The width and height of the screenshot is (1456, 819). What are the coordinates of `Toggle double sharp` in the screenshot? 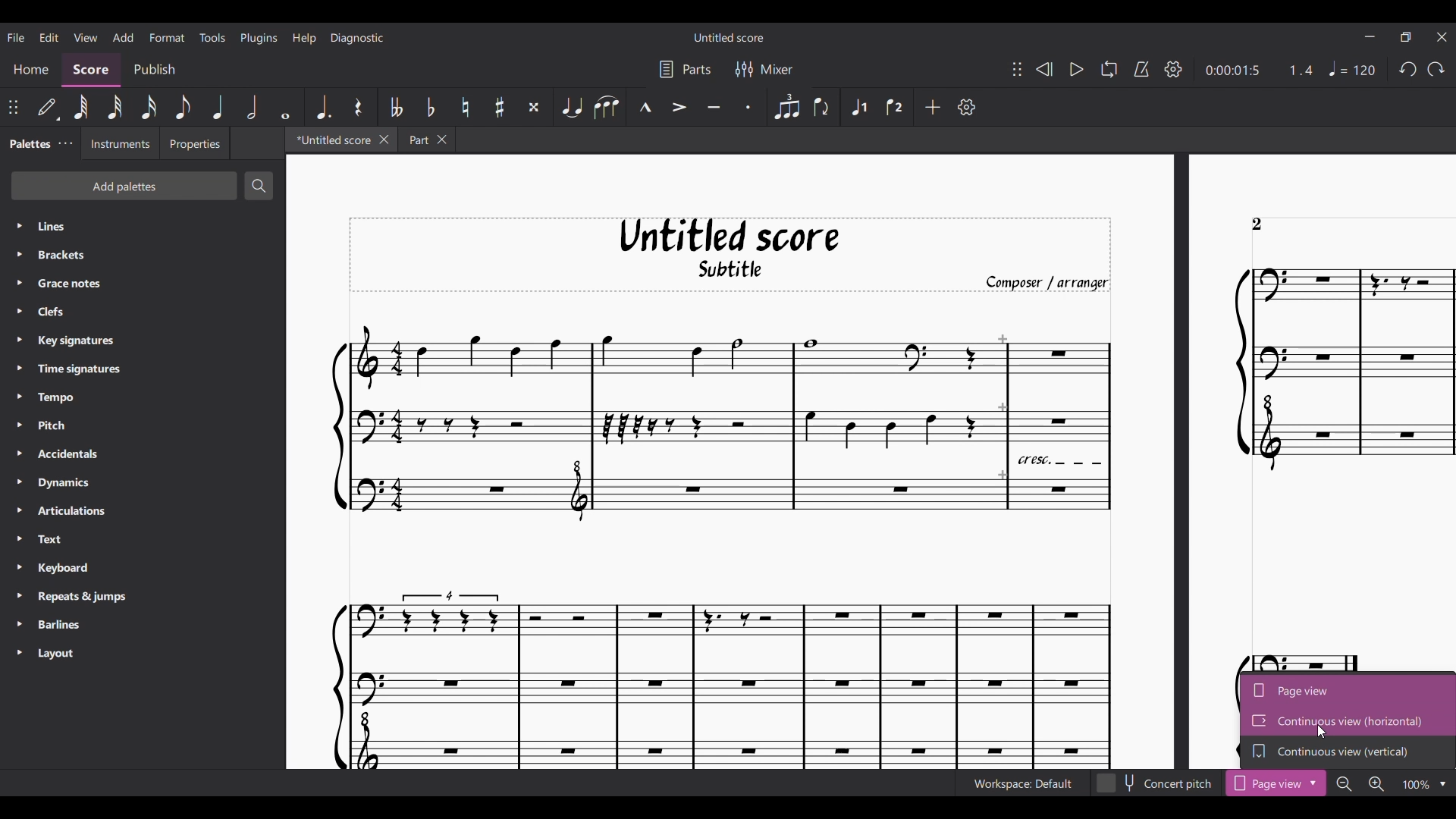 It's located at (535, 107).